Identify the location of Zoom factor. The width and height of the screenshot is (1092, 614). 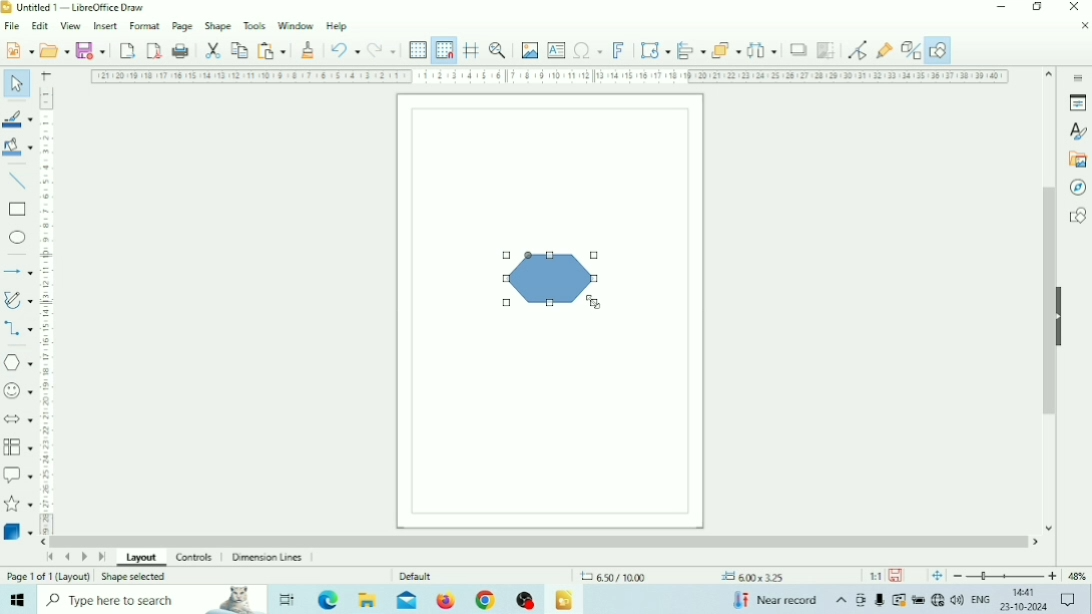
(1077, 576).